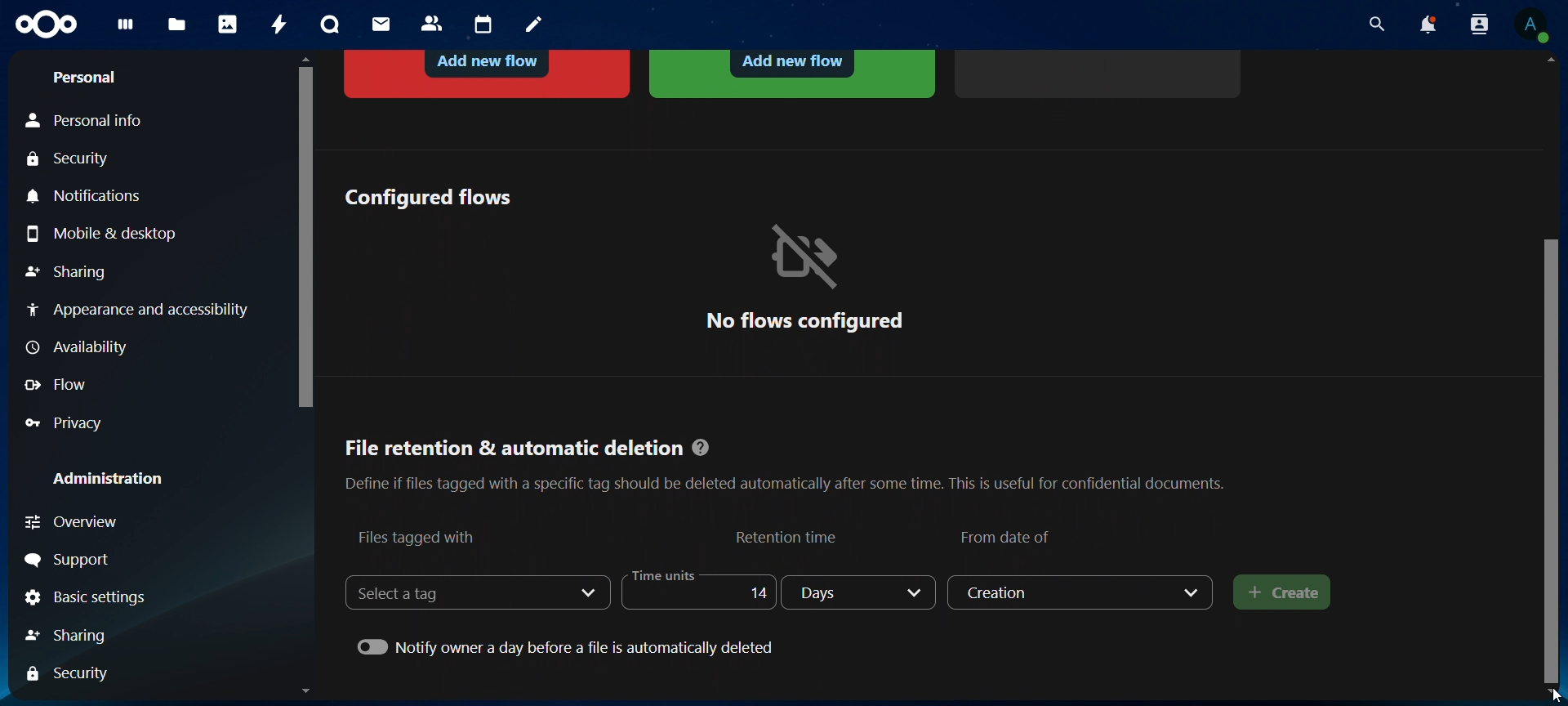  I want to click on overview, so click(104, 522).